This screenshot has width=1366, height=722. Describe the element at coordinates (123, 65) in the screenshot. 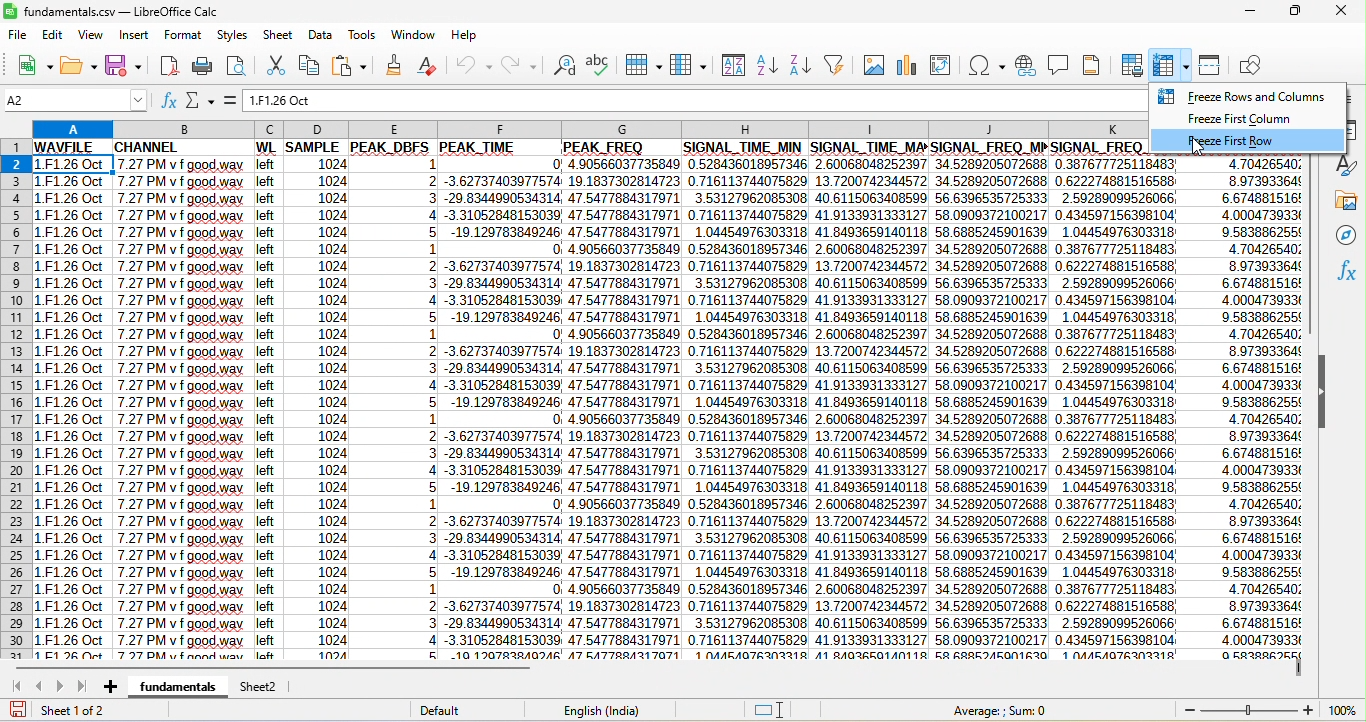

I see `save` at that location.